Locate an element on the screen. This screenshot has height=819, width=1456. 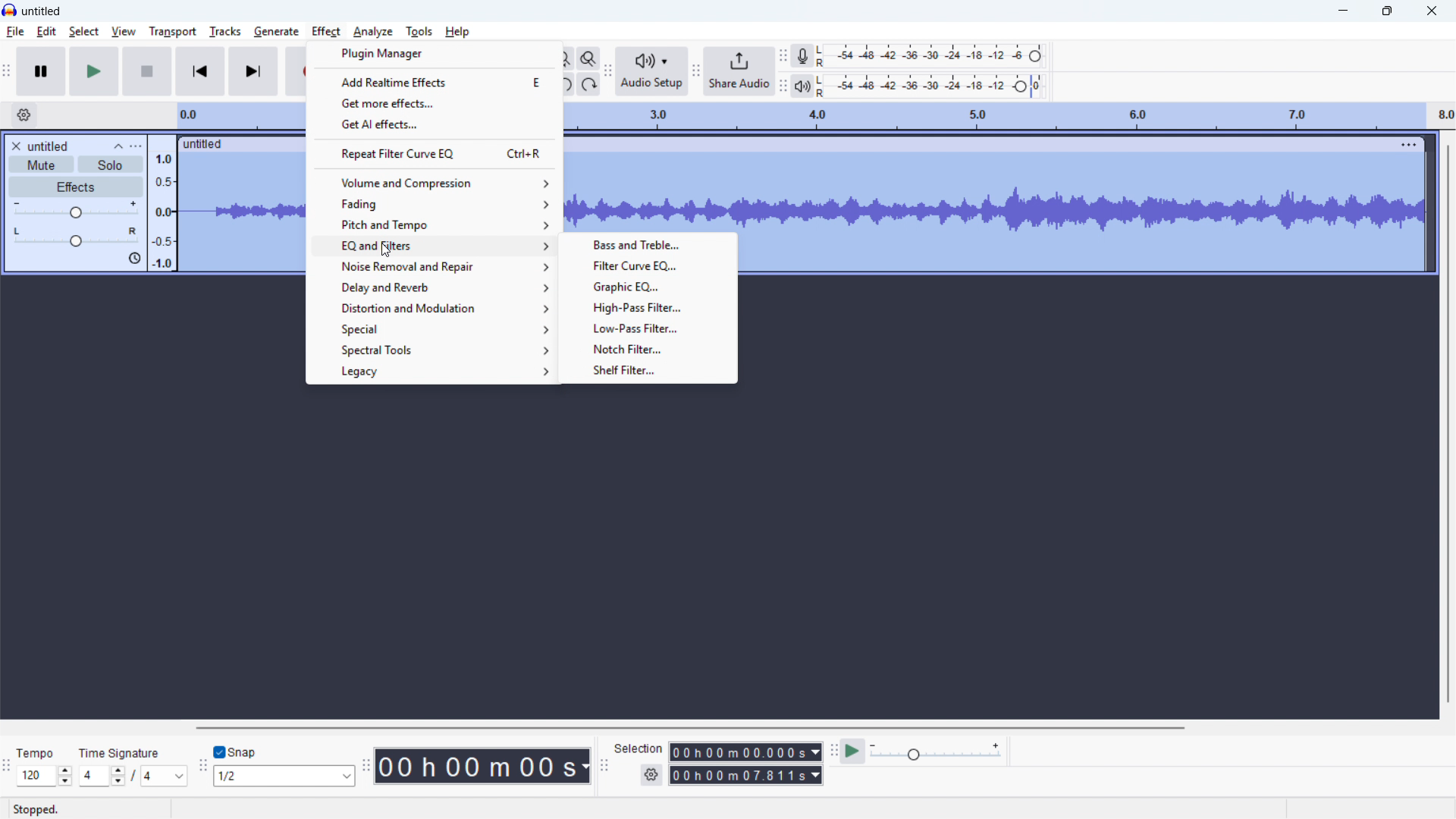
close  is located at coordinates (1430, 11).